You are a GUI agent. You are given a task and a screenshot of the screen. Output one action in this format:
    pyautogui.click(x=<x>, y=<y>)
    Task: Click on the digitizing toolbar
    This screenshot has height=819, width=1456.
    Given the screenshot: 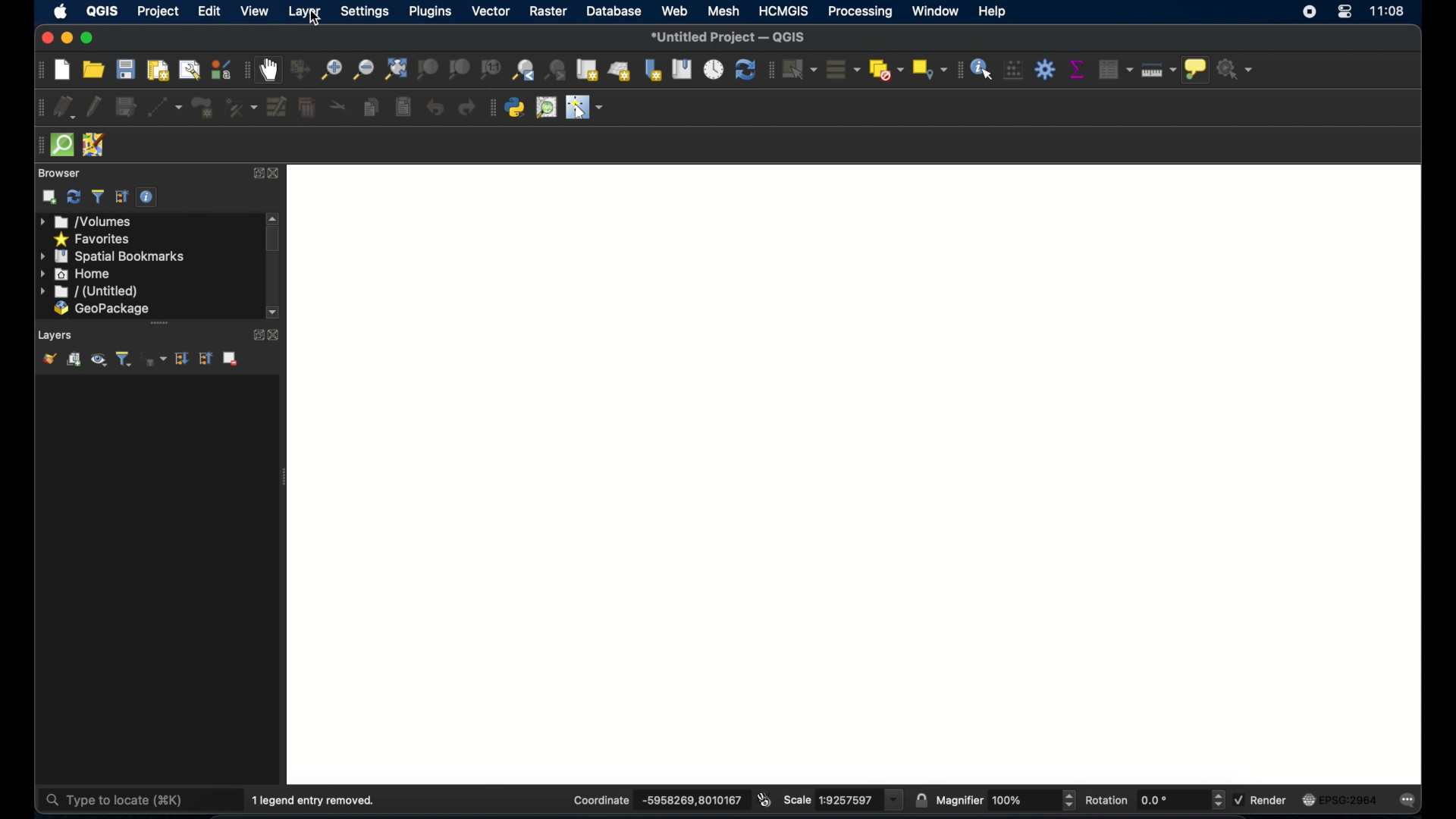 What is the action you would take?
    pyautogui.click(x=36, y=108)
    